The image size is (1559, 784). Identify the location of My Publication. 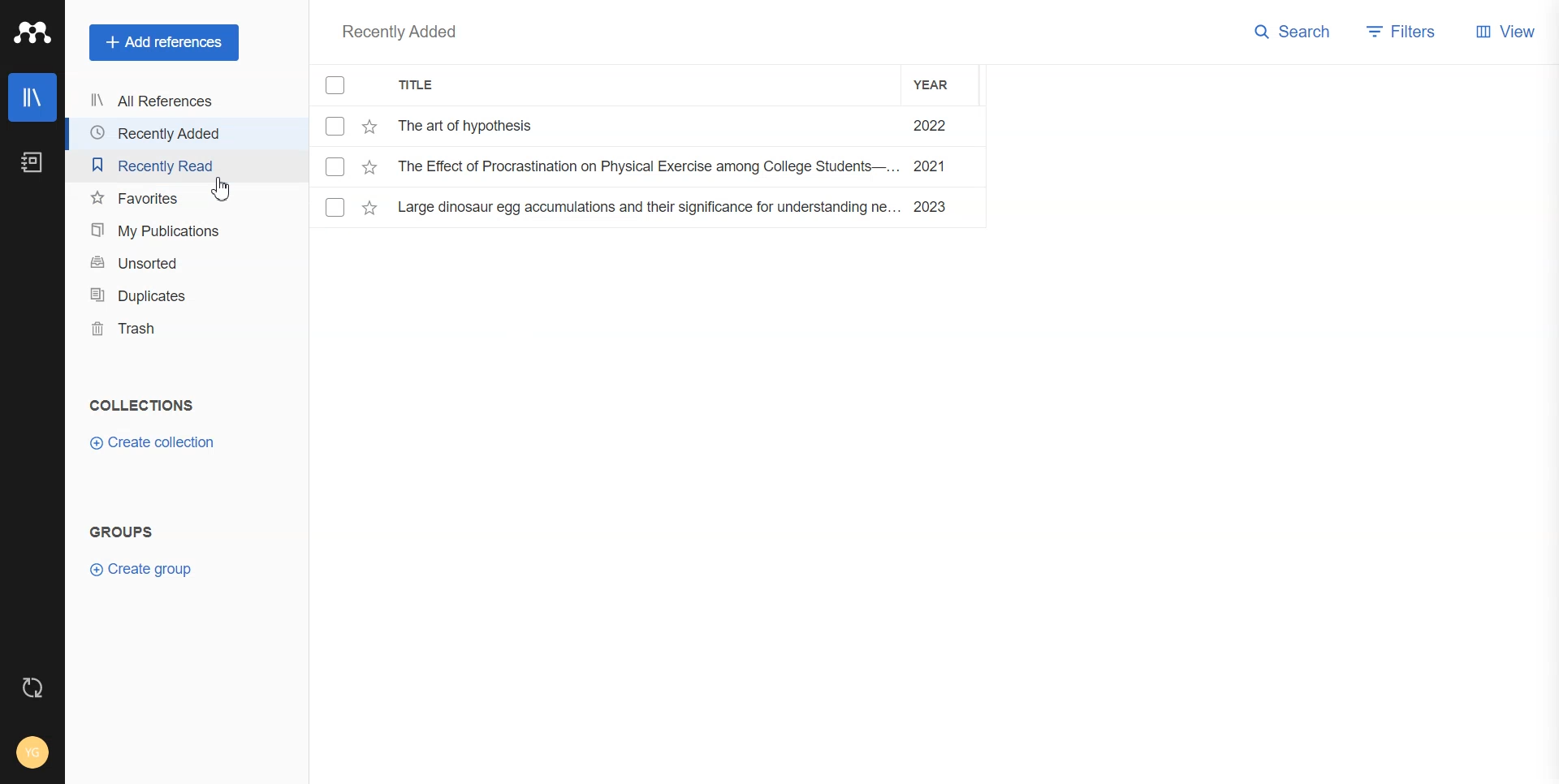
(168, 231).